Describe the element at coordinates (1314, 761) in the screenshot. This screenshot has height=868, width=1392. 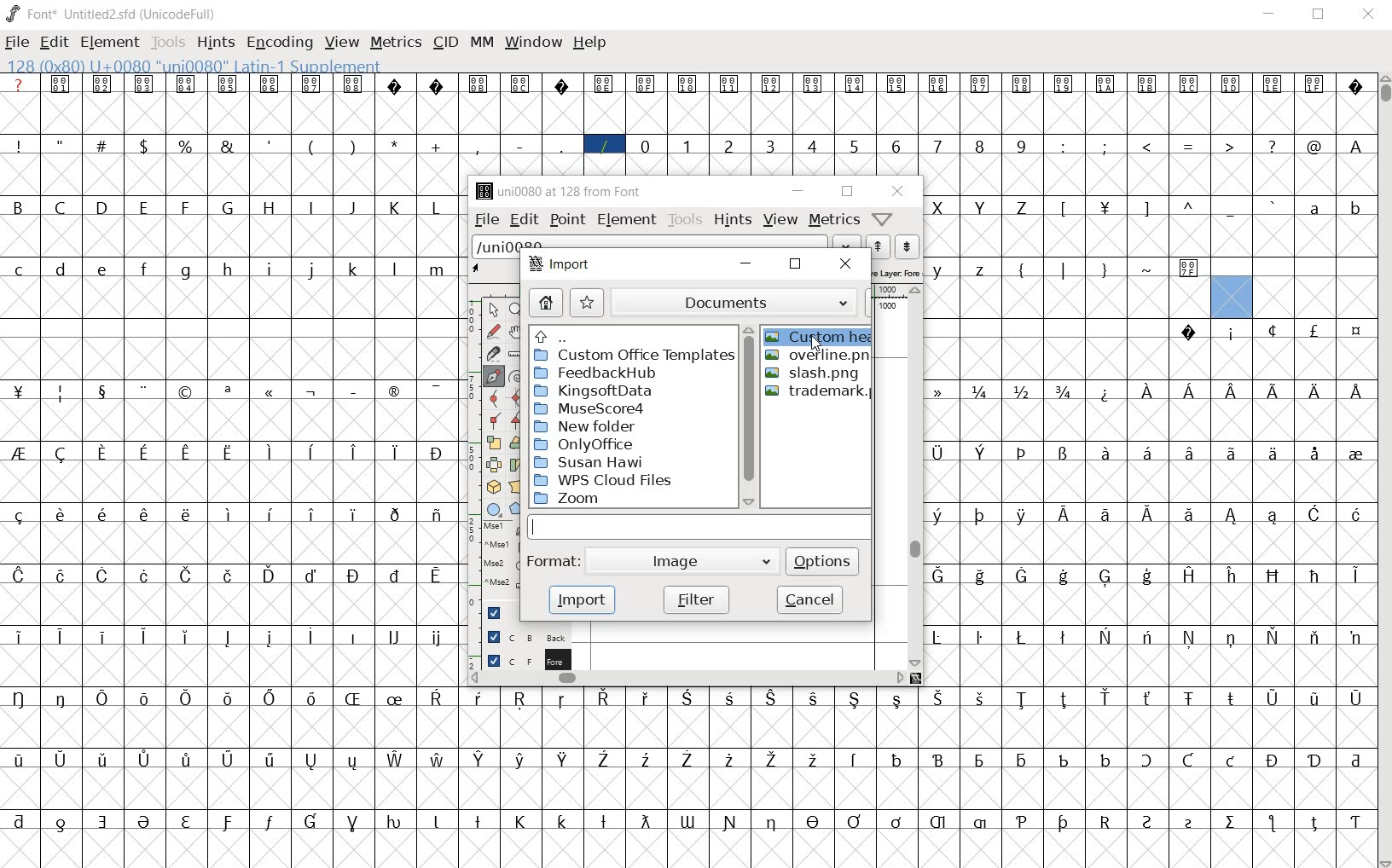
I see `glyph` at that location.